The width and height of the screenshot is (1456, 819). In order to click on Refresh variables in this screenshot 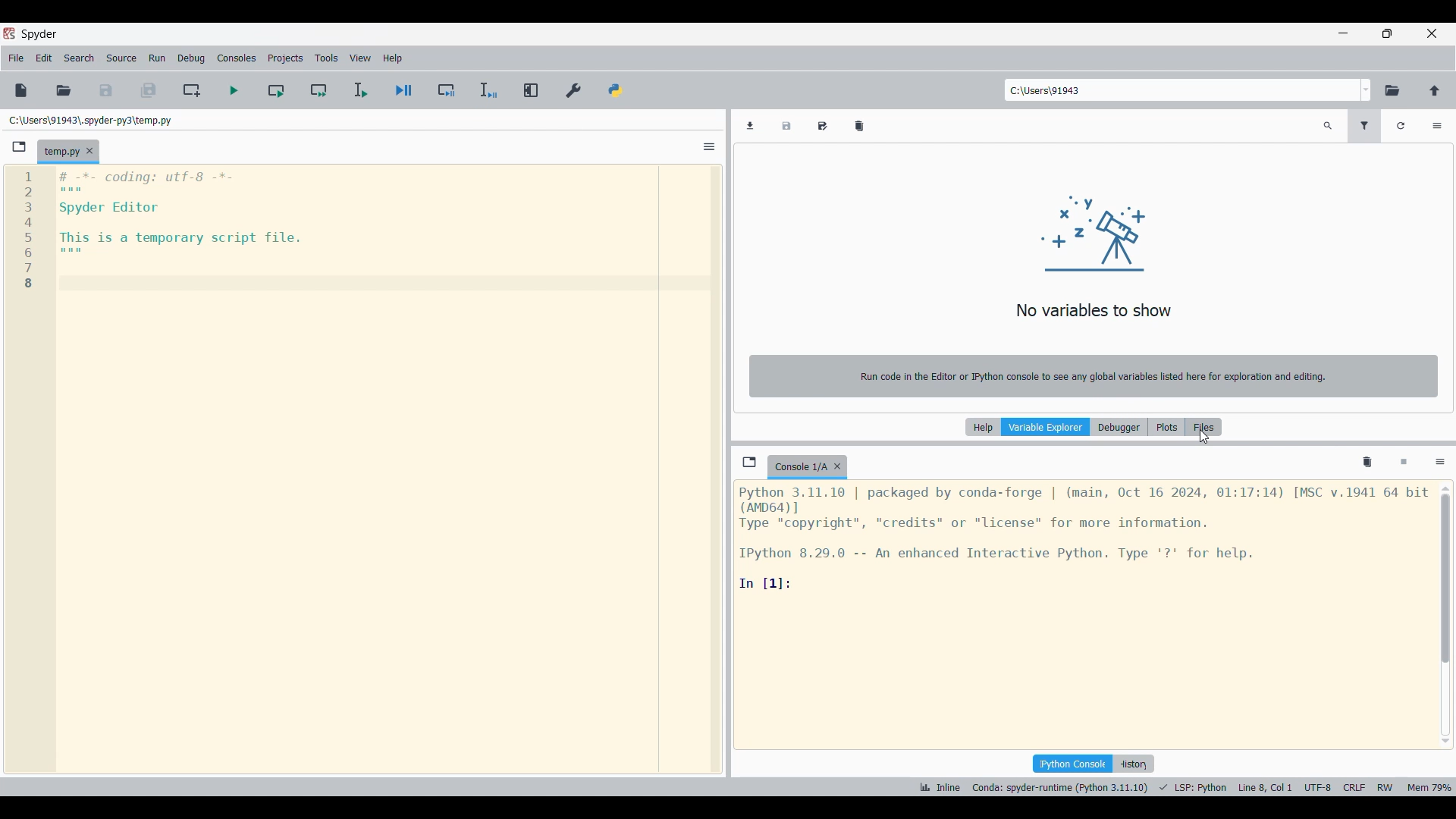, I will do `click(1401, 126)`.